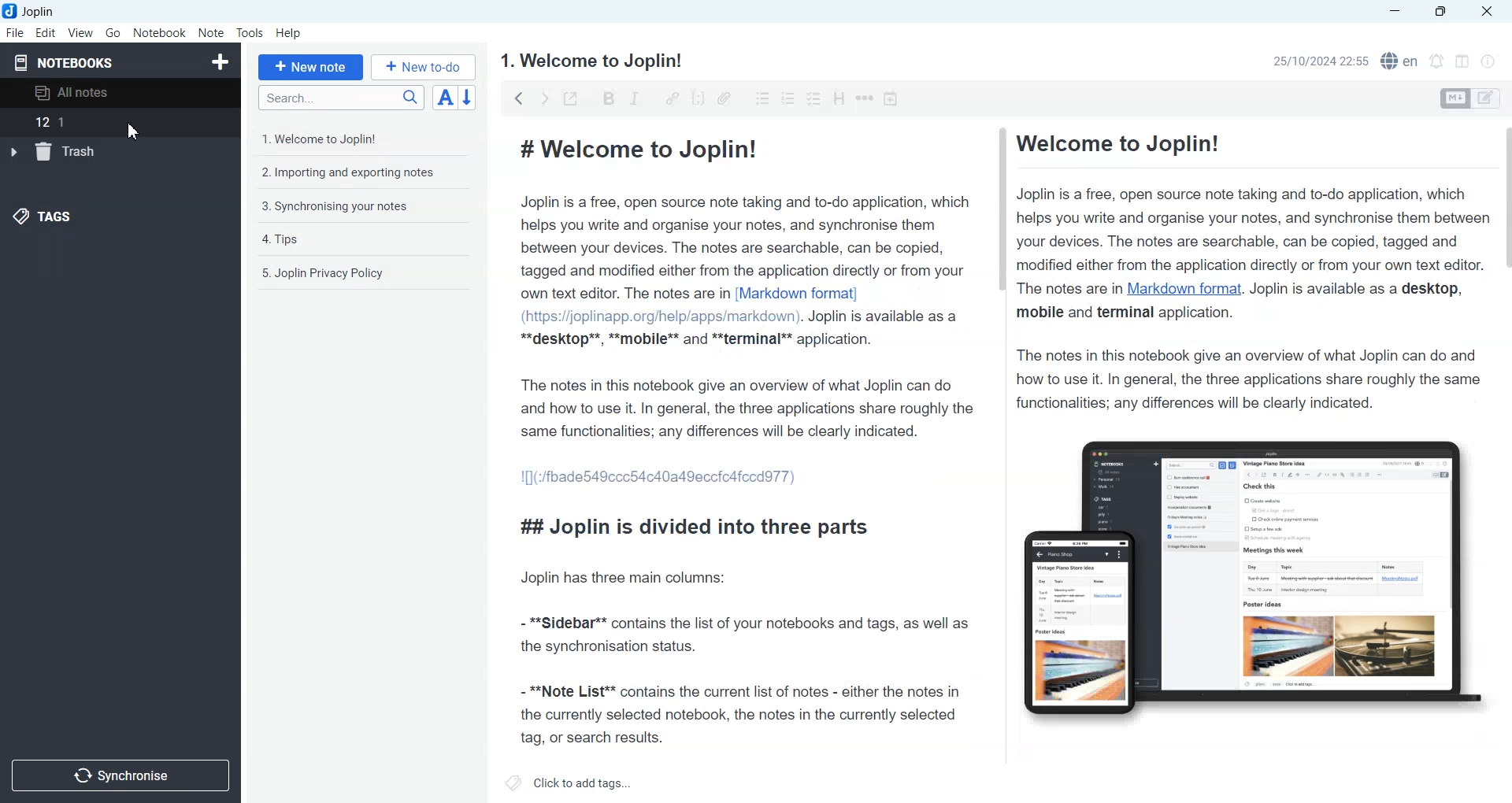 This screenshot has height=803, width=1512. I want to click on Forward, so click(543, 98).